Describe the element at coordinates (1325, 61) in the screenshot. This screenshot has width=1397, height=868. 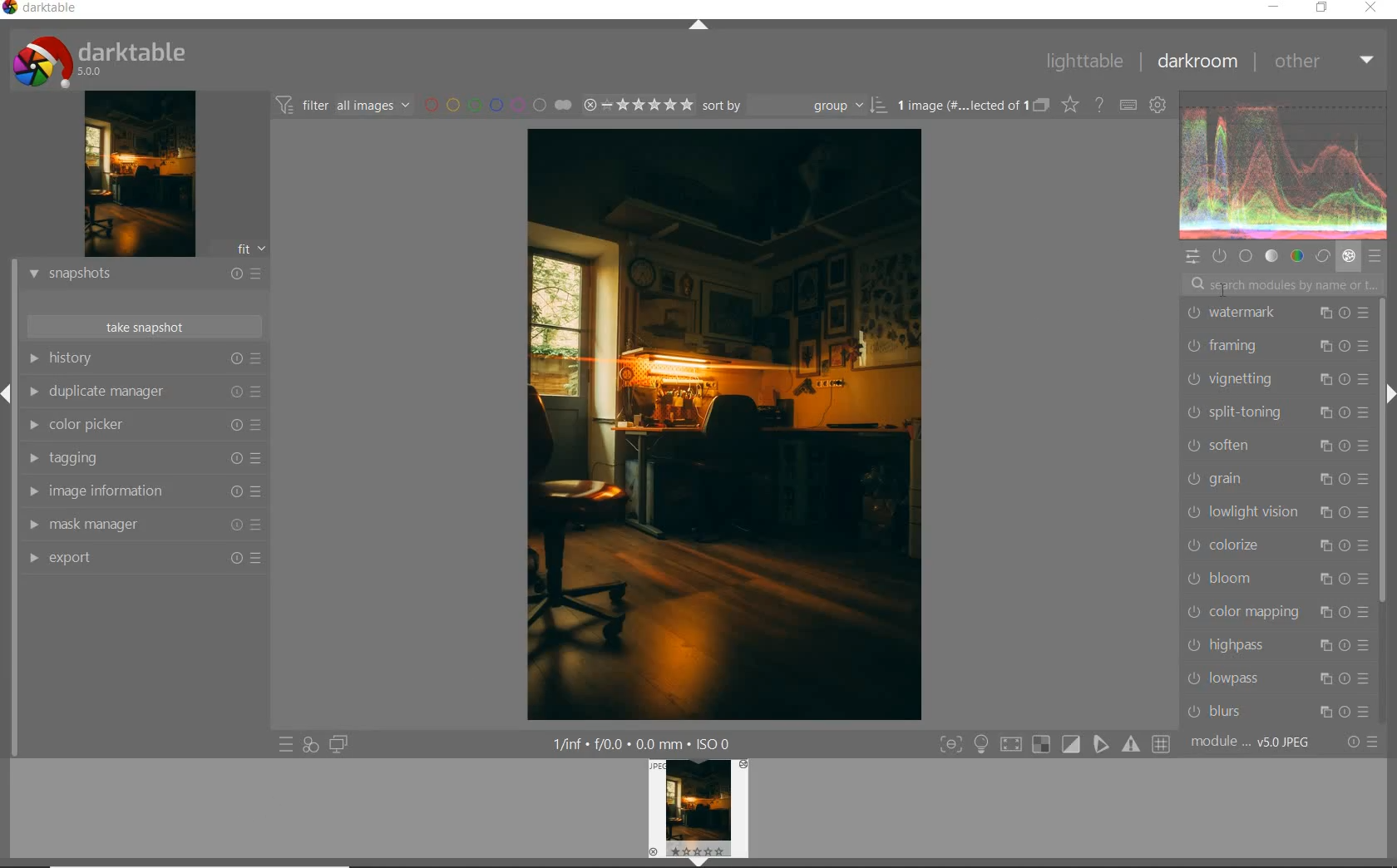
I see `other` at that location.